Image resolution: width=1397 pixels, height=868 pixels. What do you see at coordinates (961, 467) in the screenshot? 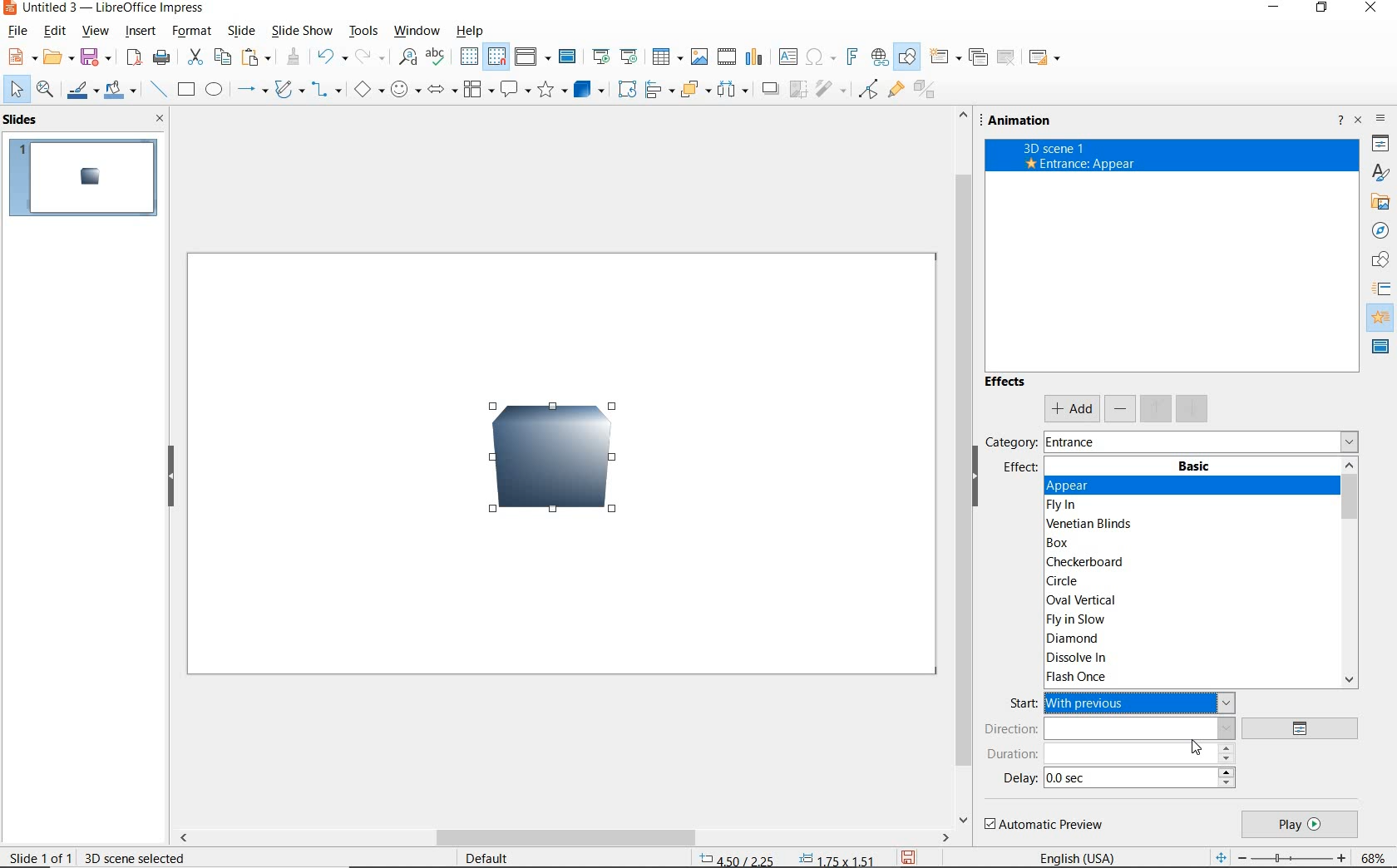
I see `SCROLLBAR` at bounding box center [961, 467].